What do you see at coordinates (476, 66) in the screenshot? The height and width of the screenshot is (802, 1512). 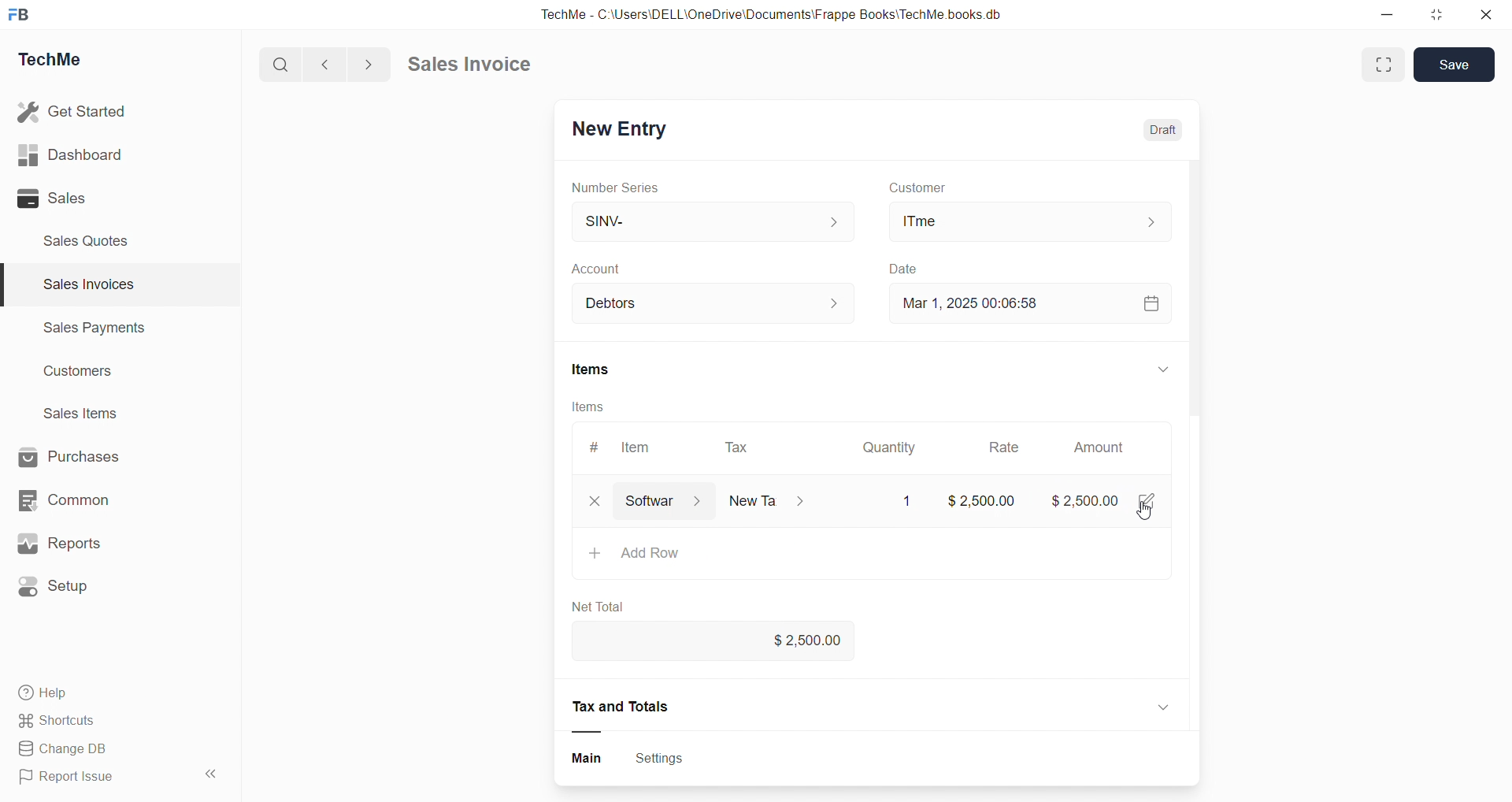 I see `Sales Invoice` at bounding box center [476, 66].